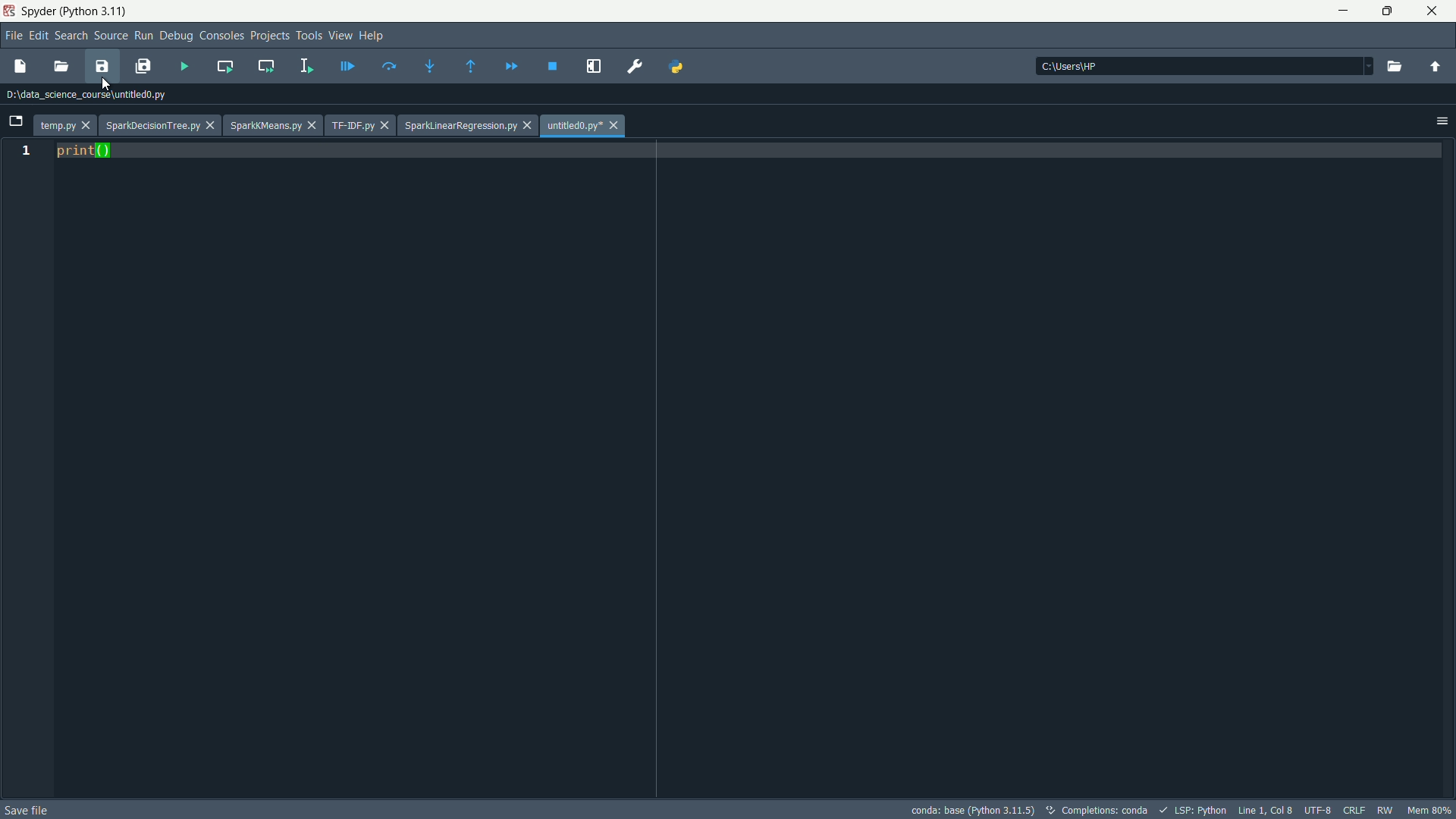  Describe the element at coordinates (616, 127) in the screenshot. I see `close` at that location.